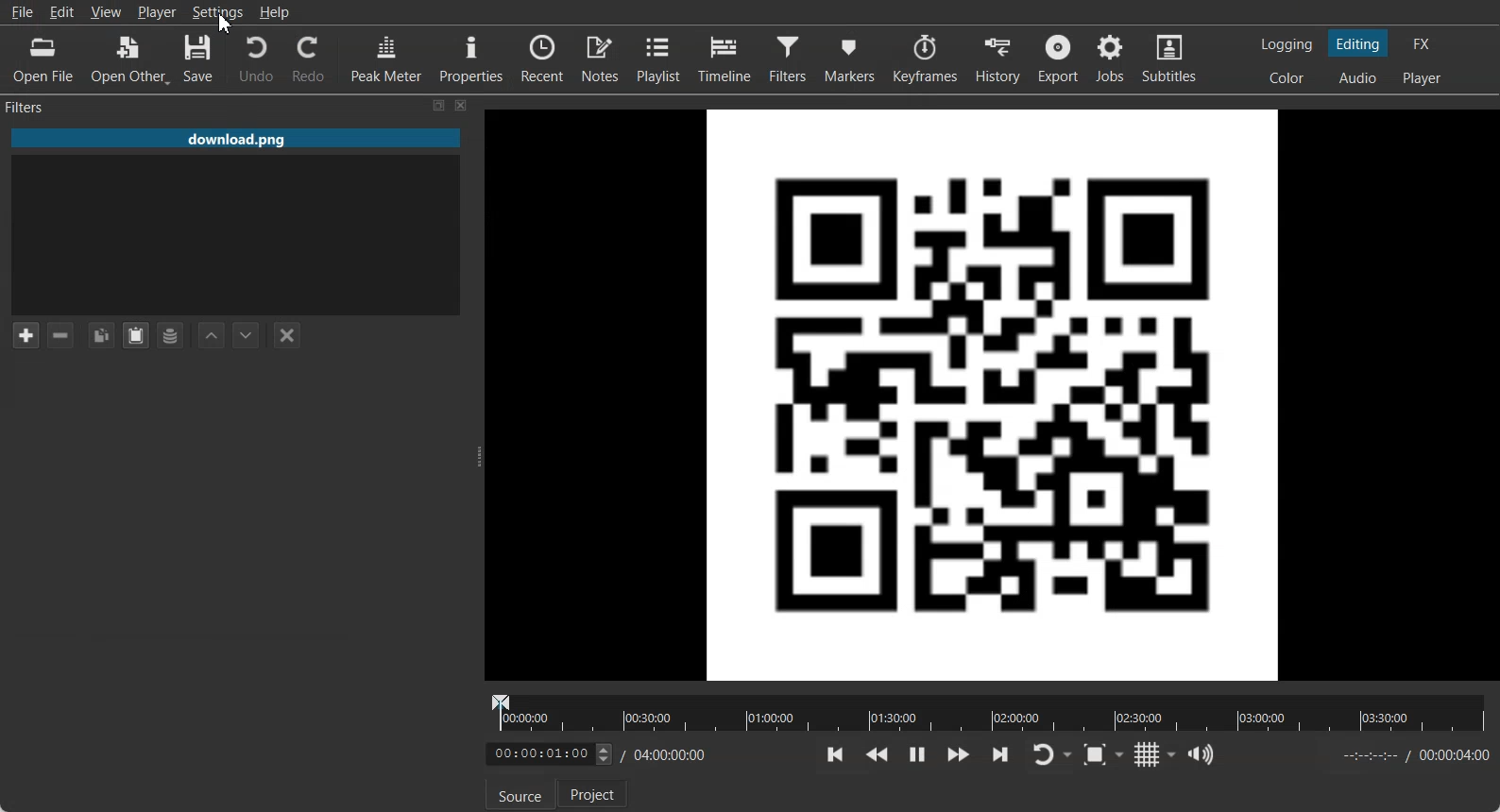 This screenshot has height=812, width=1500. Describe the element at coordinates (1424, 43) in the screenshot. I see `Switch to the effect only layout` at that location.